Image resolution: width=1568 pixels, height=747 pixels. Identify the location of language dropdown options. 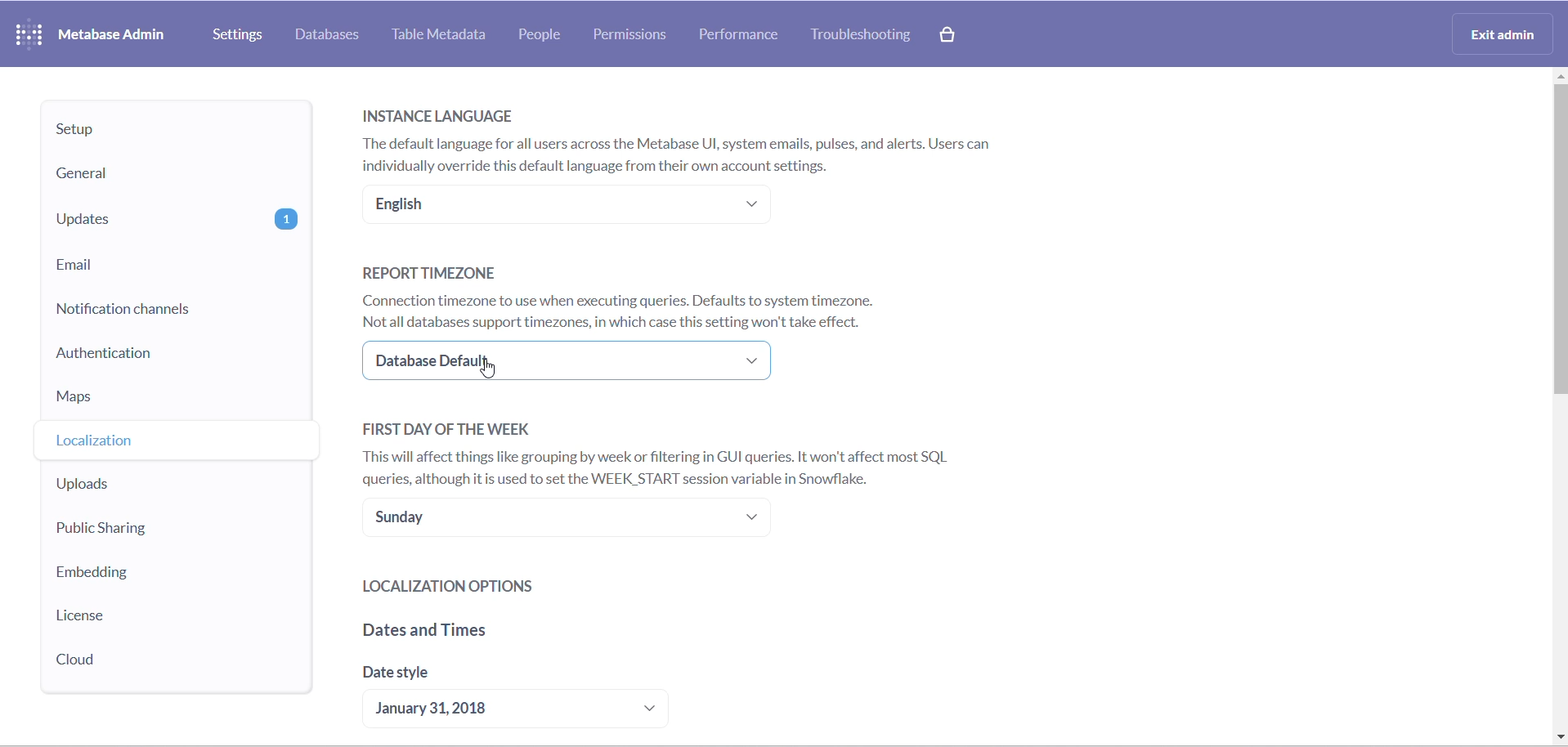
(563, 206).